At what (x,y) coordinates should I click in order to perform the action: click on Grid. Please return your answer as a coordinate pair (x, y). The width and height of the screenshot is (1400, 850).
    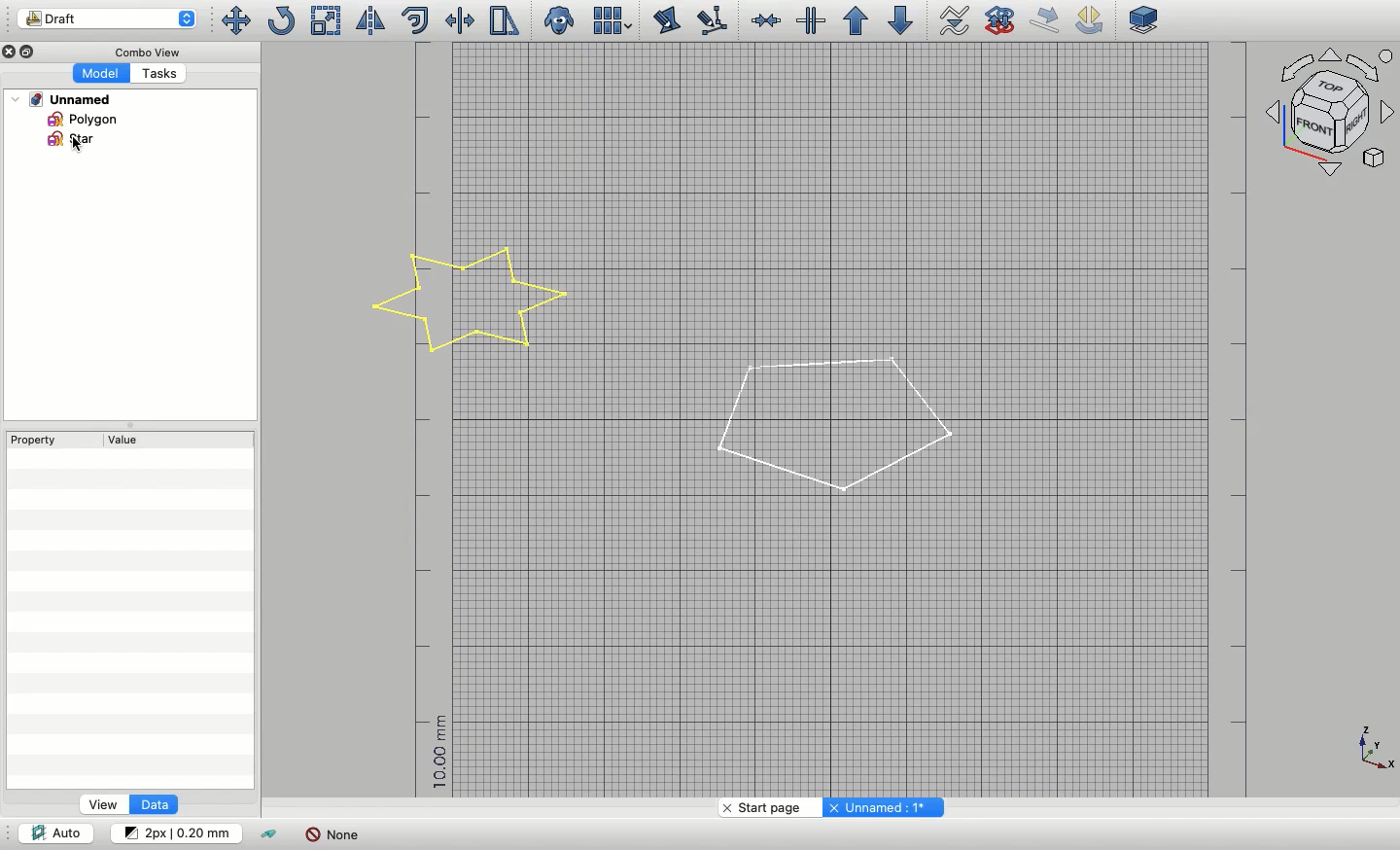
    Looking at the image, I should click on (819, 673).